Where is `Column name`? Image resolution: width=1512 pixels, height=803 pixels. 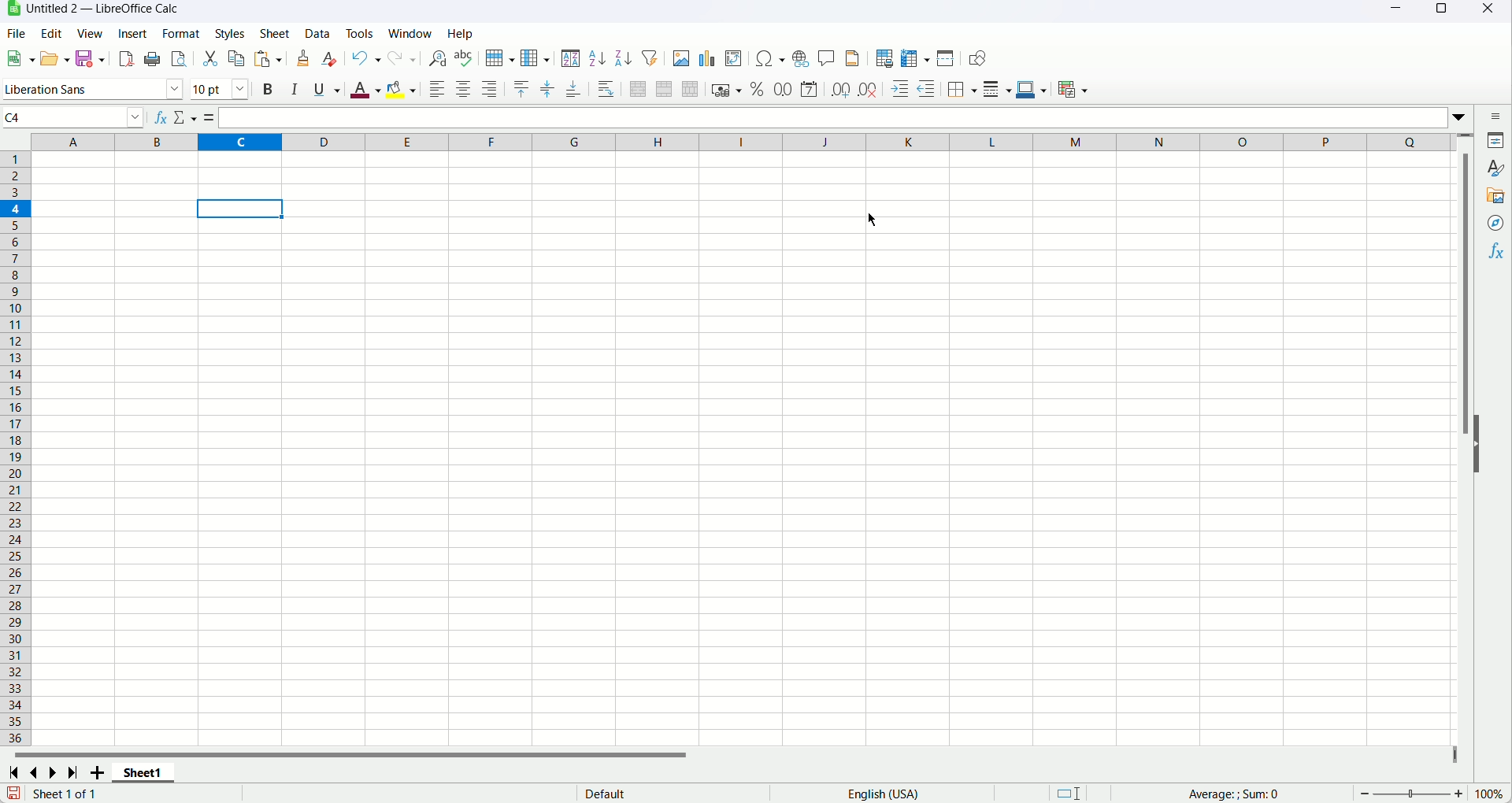 Column name is located at coordinates (746, 142).